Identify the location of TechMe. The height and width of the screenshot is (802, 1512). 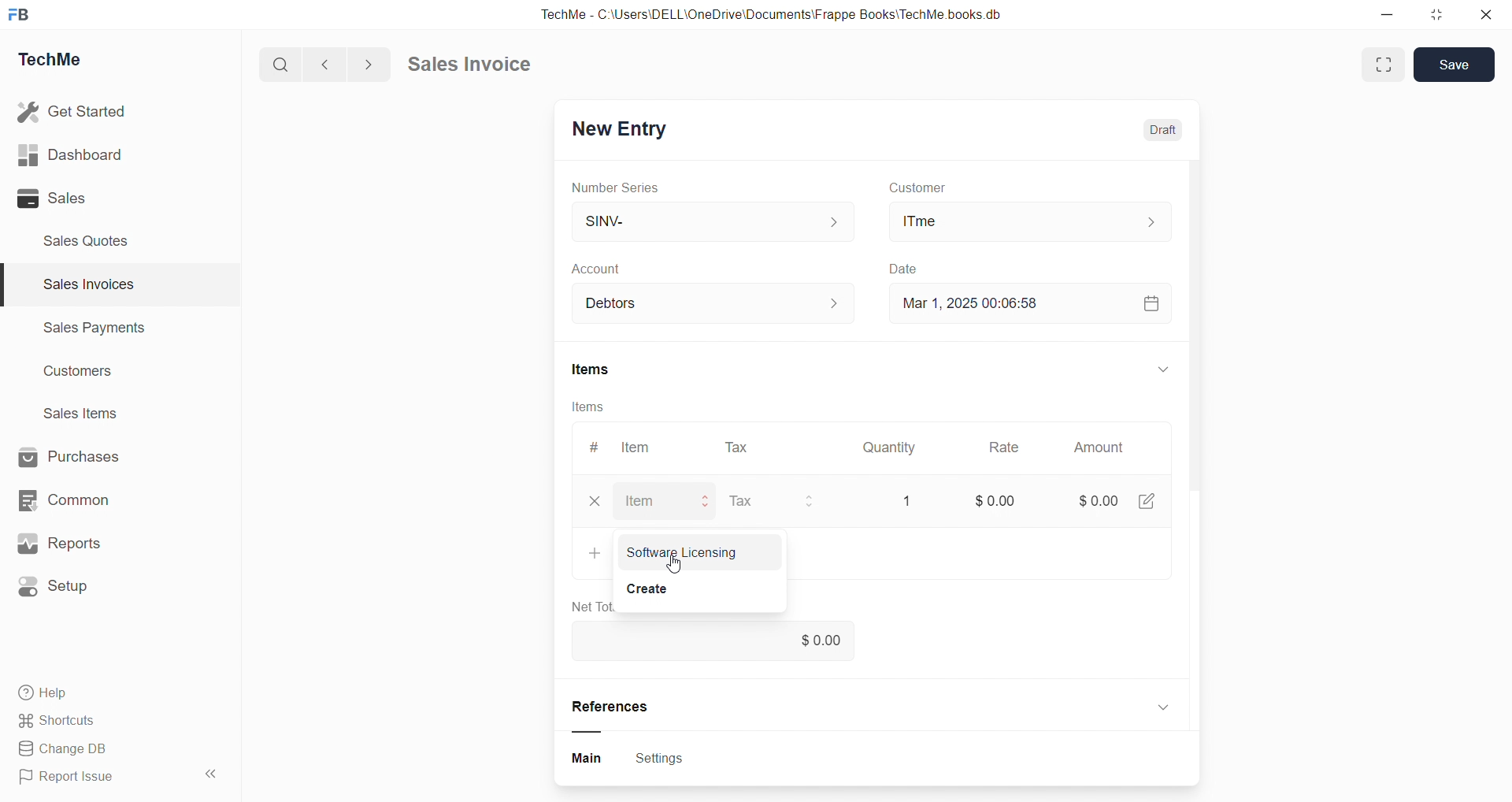
(63, 62).